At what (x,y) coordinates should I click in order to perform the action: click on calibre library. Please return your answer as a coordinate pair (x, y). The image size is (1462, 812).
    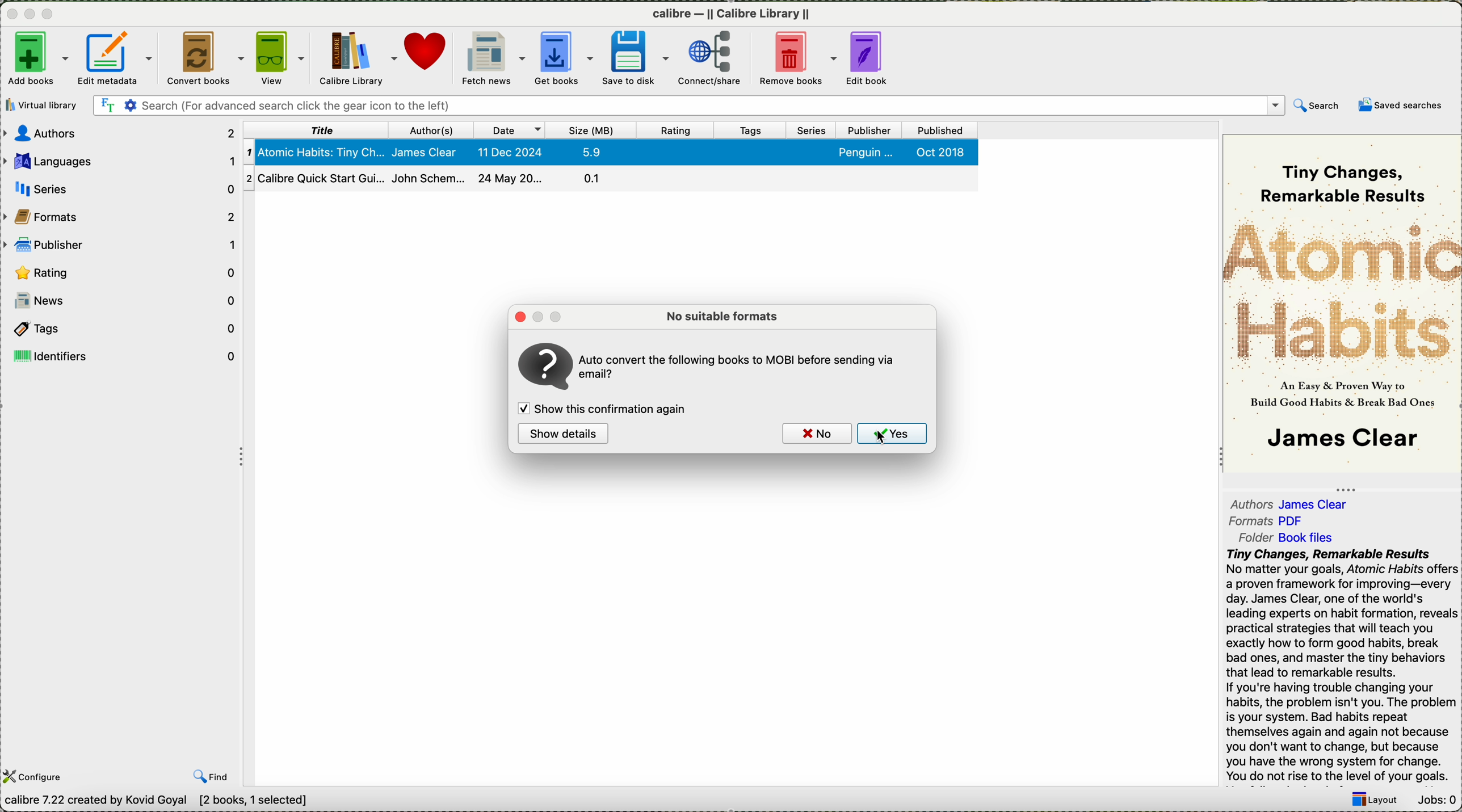
    Looking at the image, I should click on (359, 57).